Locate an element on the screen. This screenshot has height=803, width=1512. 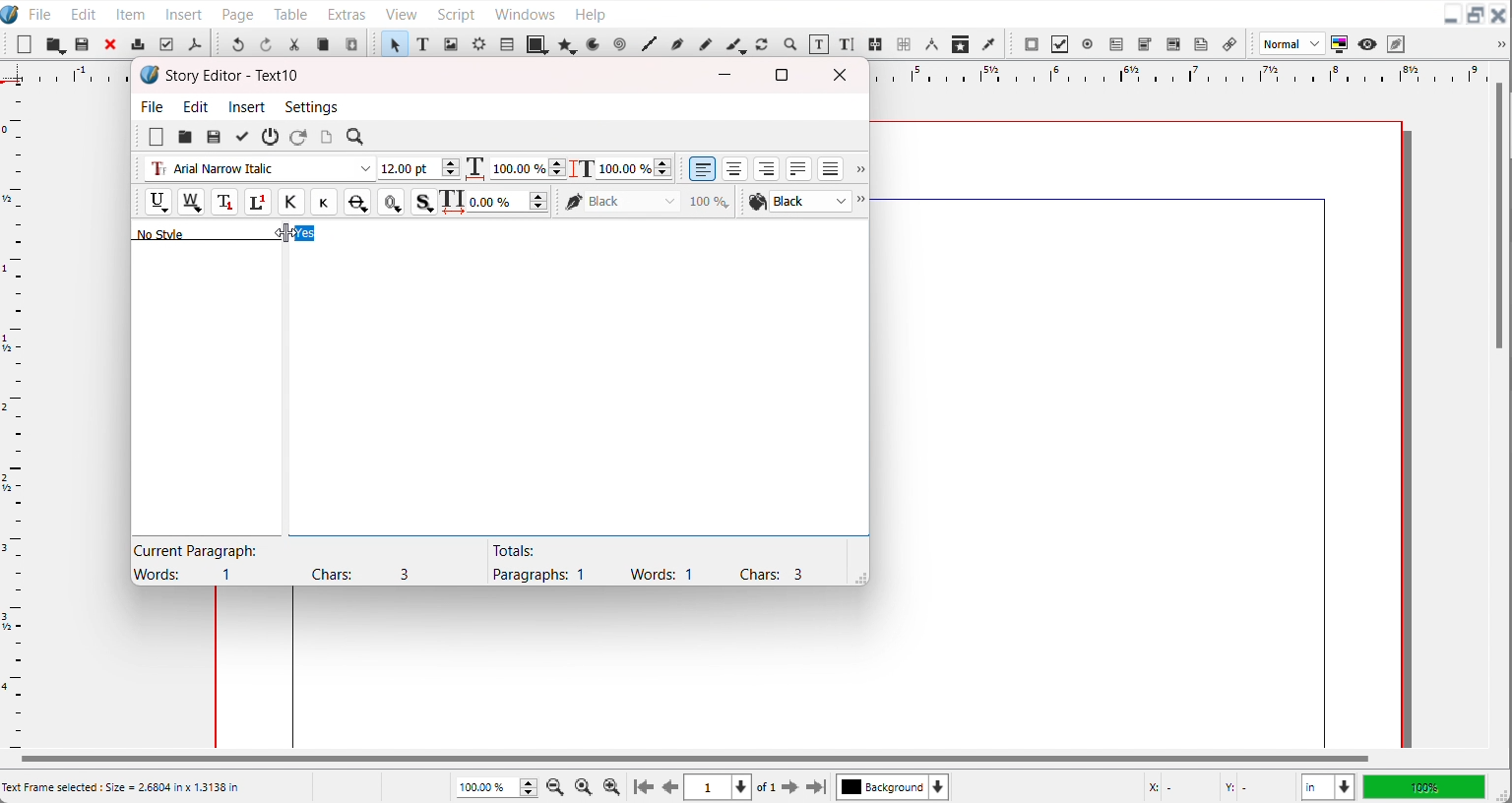
Spiral is located at coordinates (618, 44).